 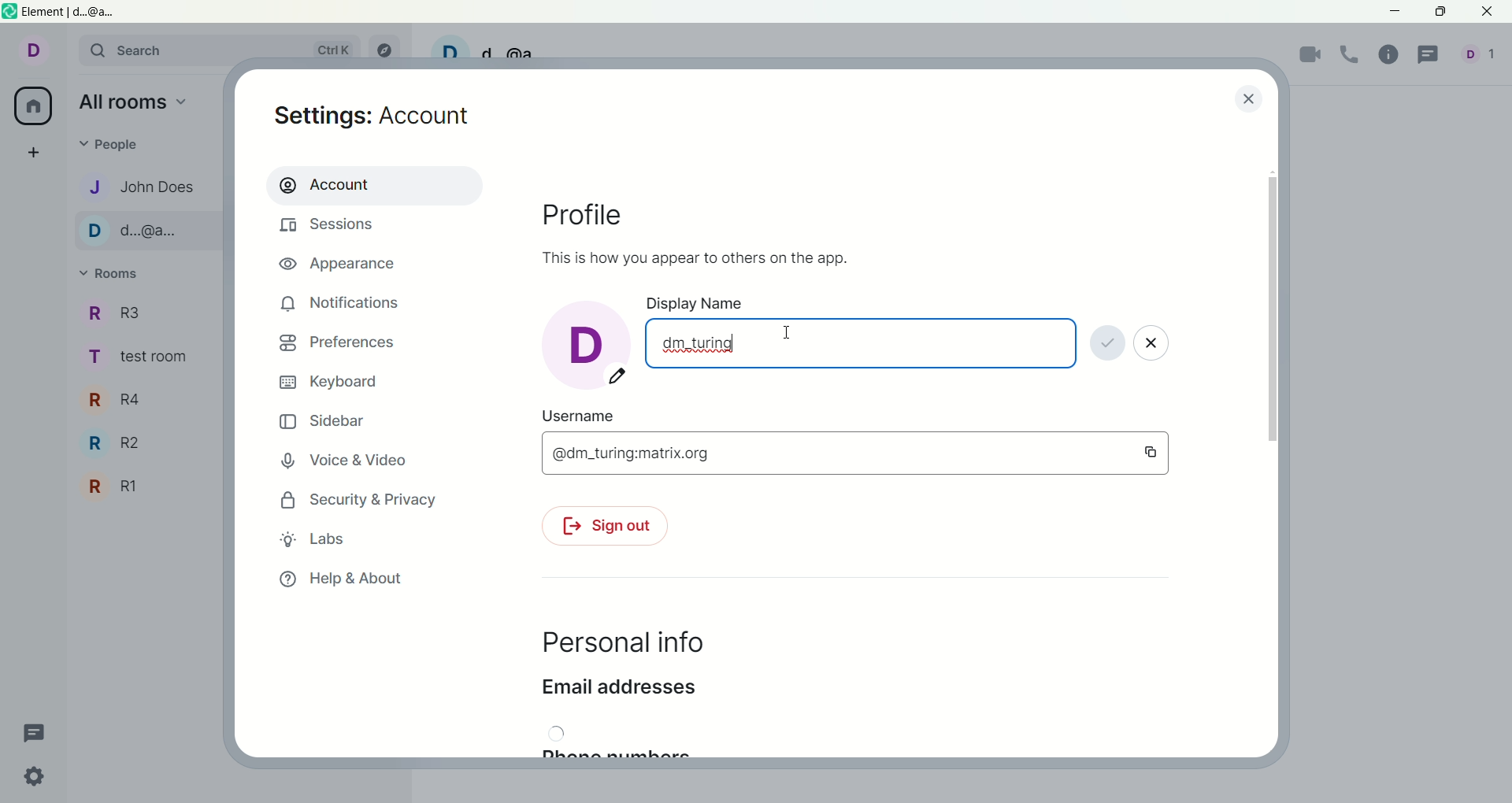 What do you see at coordinates (1482, 58) in the screenshot?
I see `people` at bounding box center [1482, 58].